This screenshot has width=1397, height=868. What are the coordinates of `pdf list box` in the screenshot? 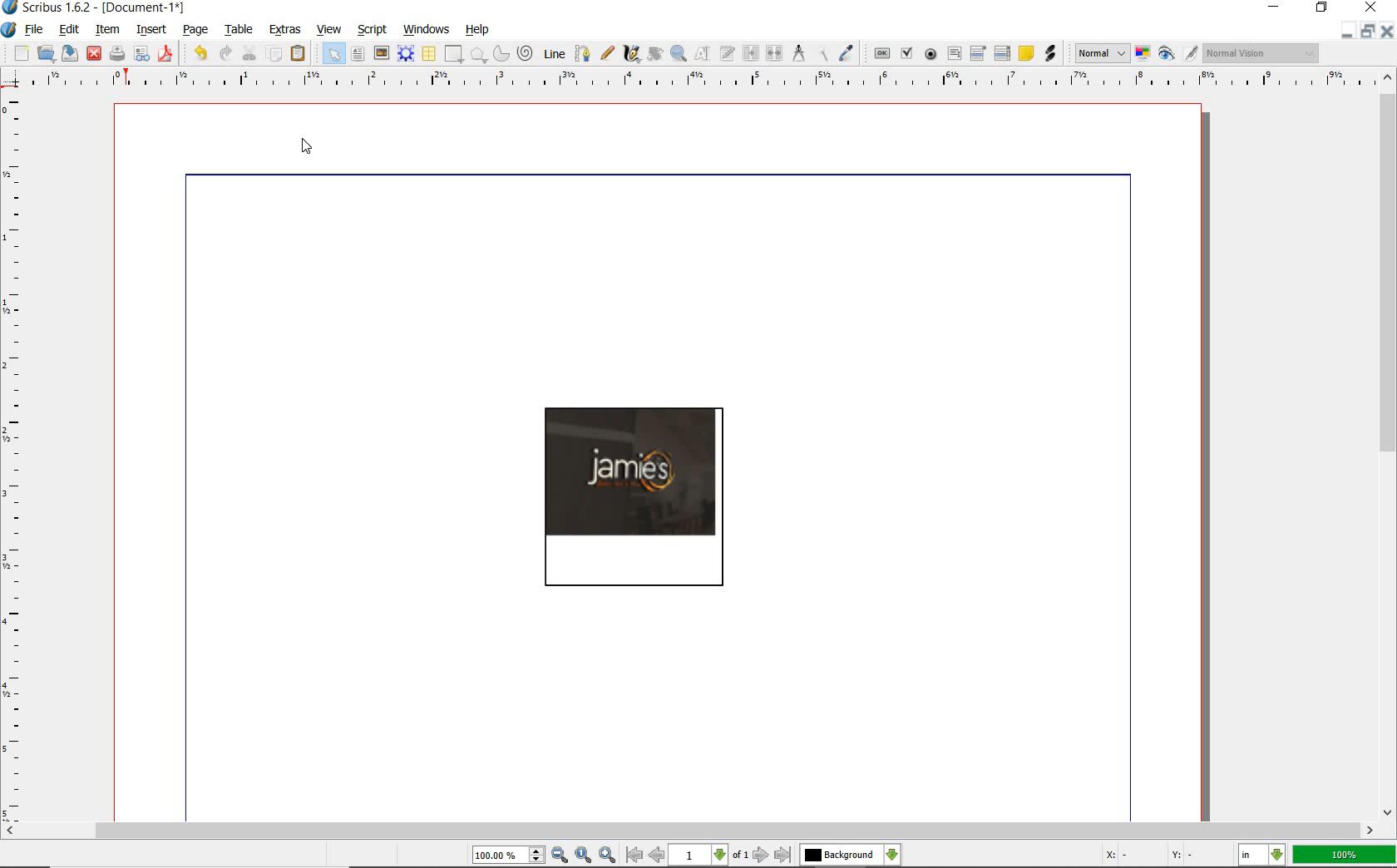 It's located at (1002, 55).